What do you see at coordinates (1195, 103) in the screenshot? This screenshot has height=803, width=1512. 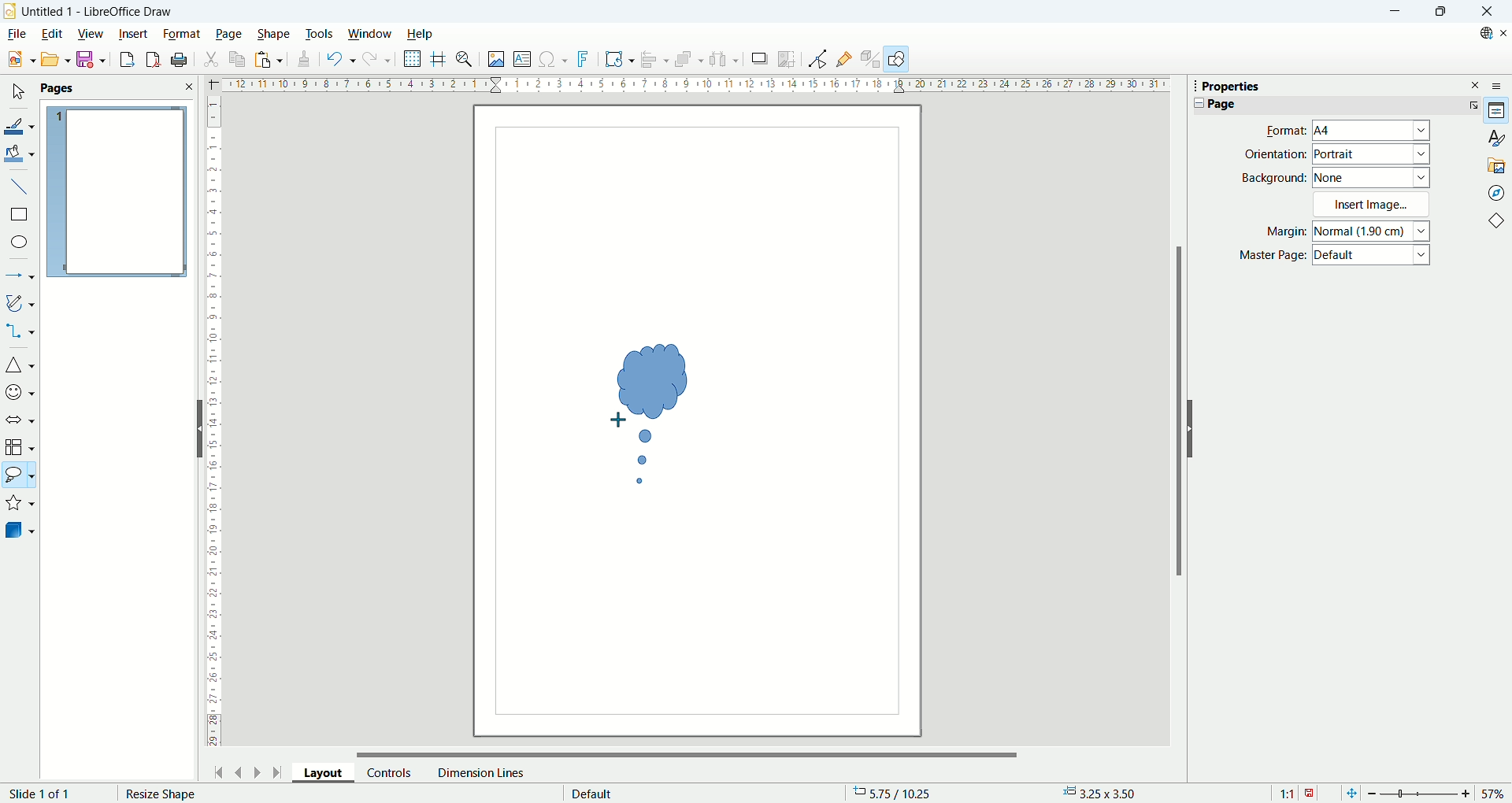 I see `Collapse` at bounding box center [1195, 103].